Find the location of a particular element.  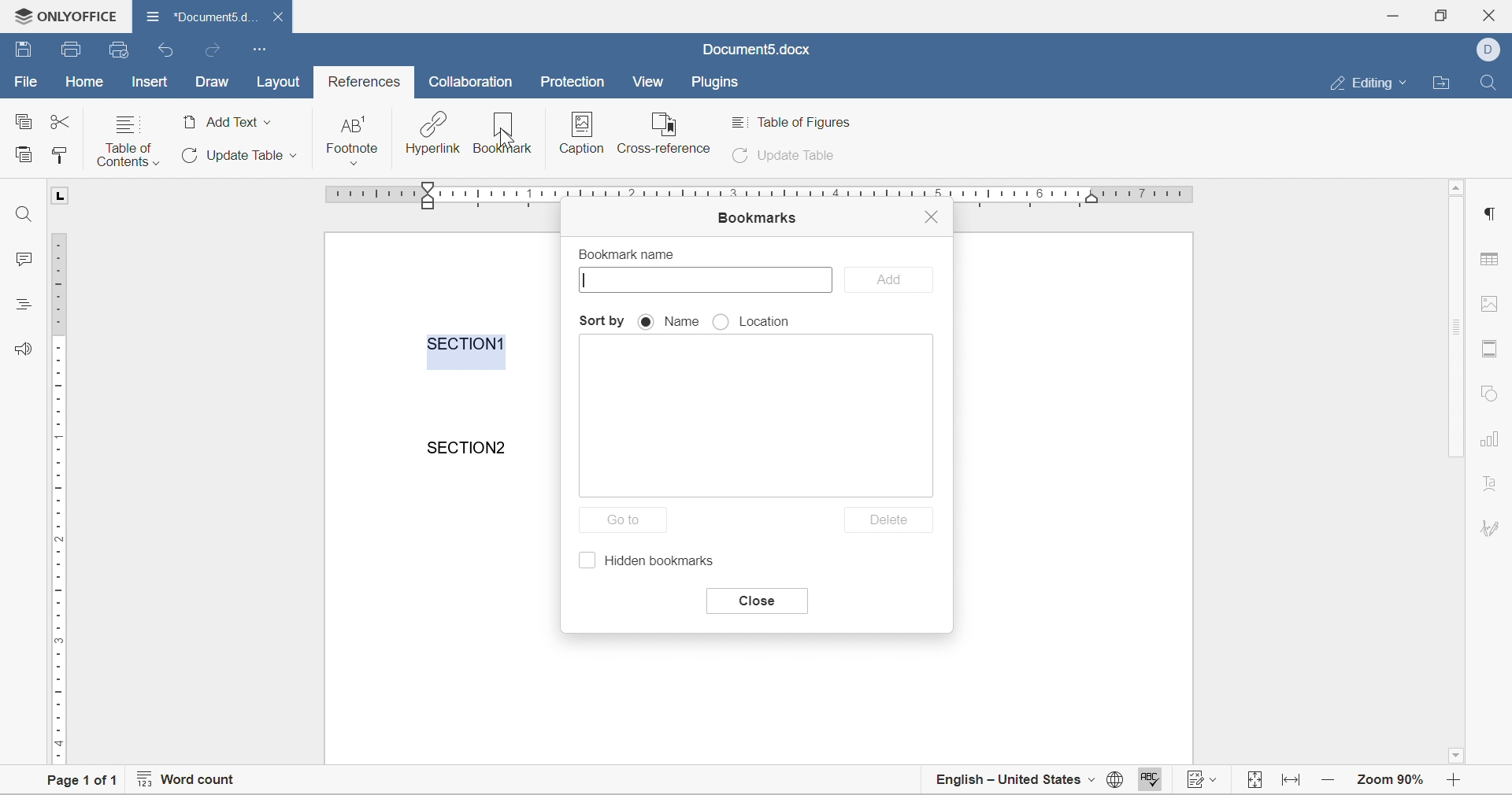

scroll bar is located at coordinates (1458, 322).